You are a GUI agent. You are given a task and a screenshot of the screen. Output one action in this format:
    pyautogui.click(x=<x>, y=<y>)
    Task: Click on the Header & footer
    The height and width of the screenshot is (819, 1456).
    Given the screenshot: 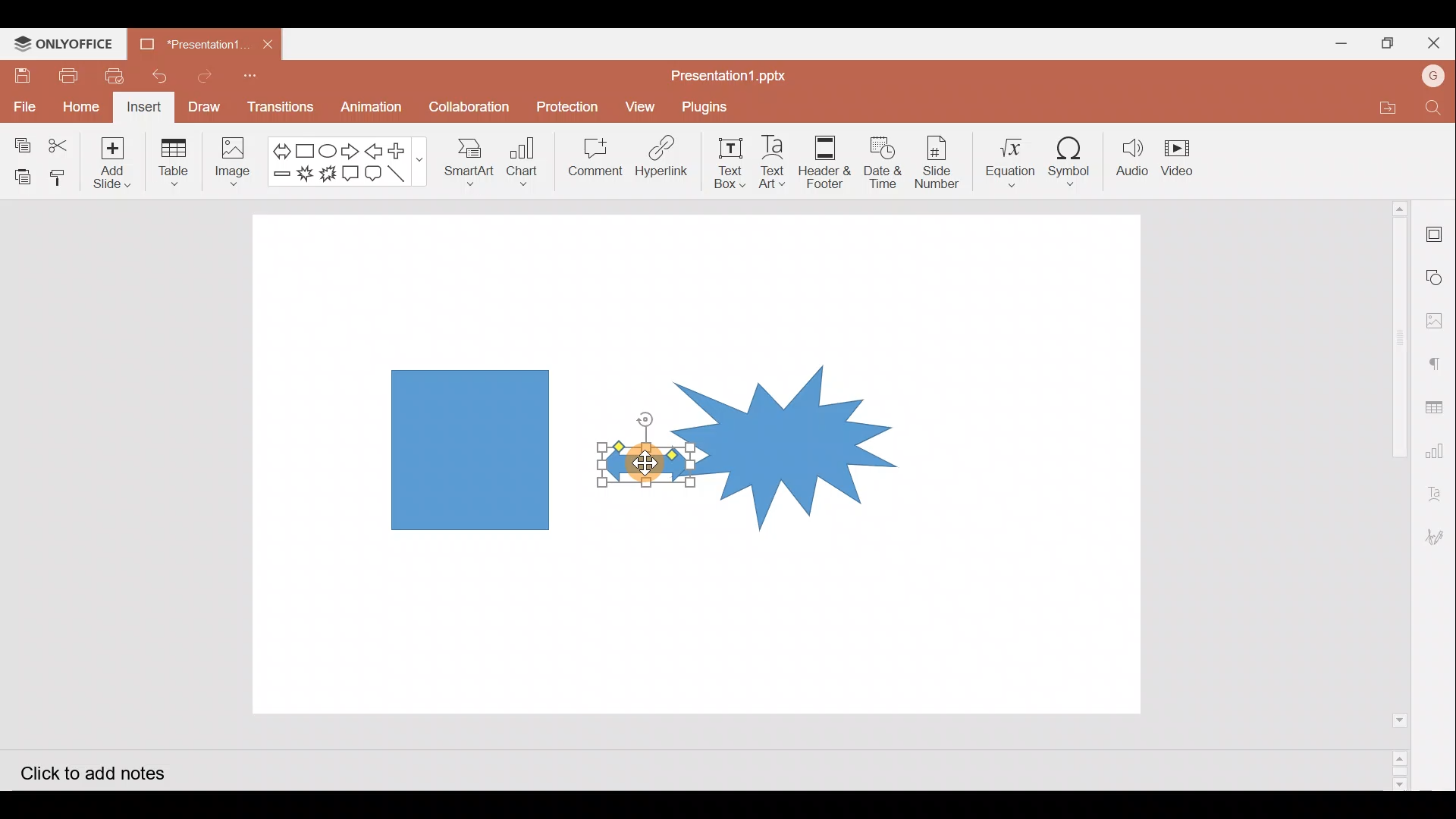 What is the action you would take?
    pyautogui.click(x=828, y=162)
    